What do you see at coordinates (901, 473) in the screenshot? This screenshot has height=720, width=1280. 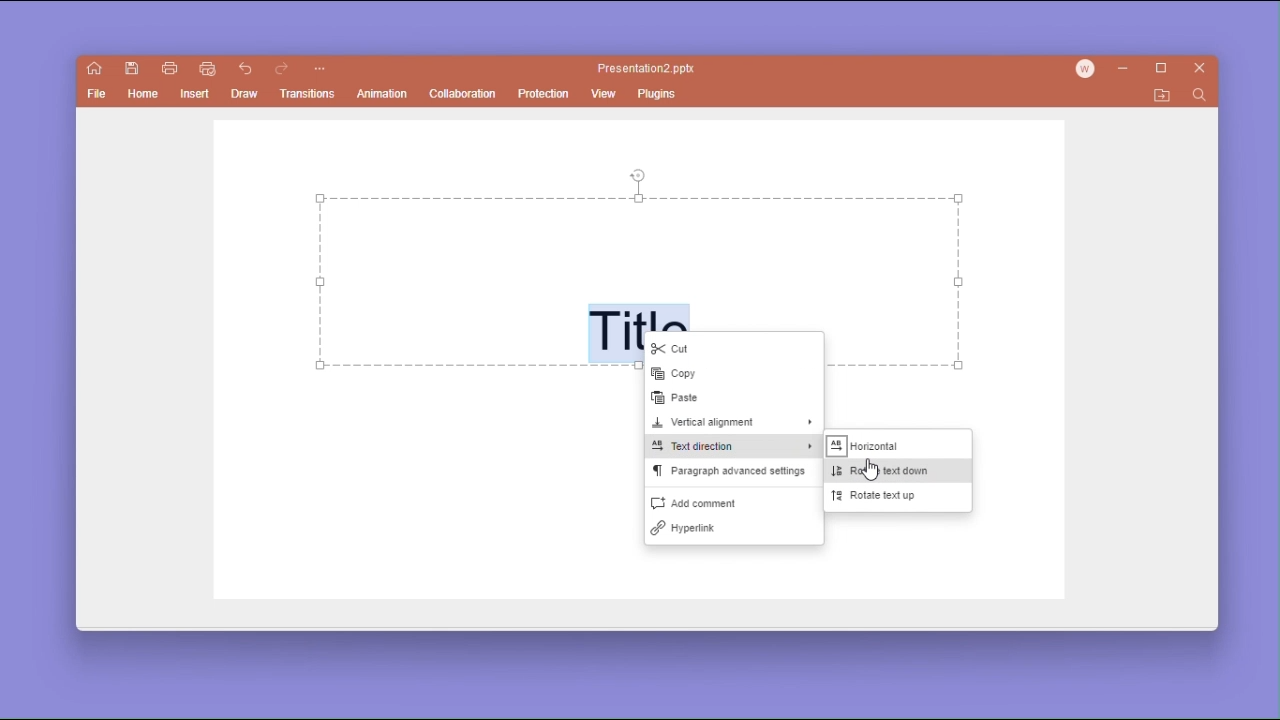 I see `rotate text down` at bounding box center [901, 473].